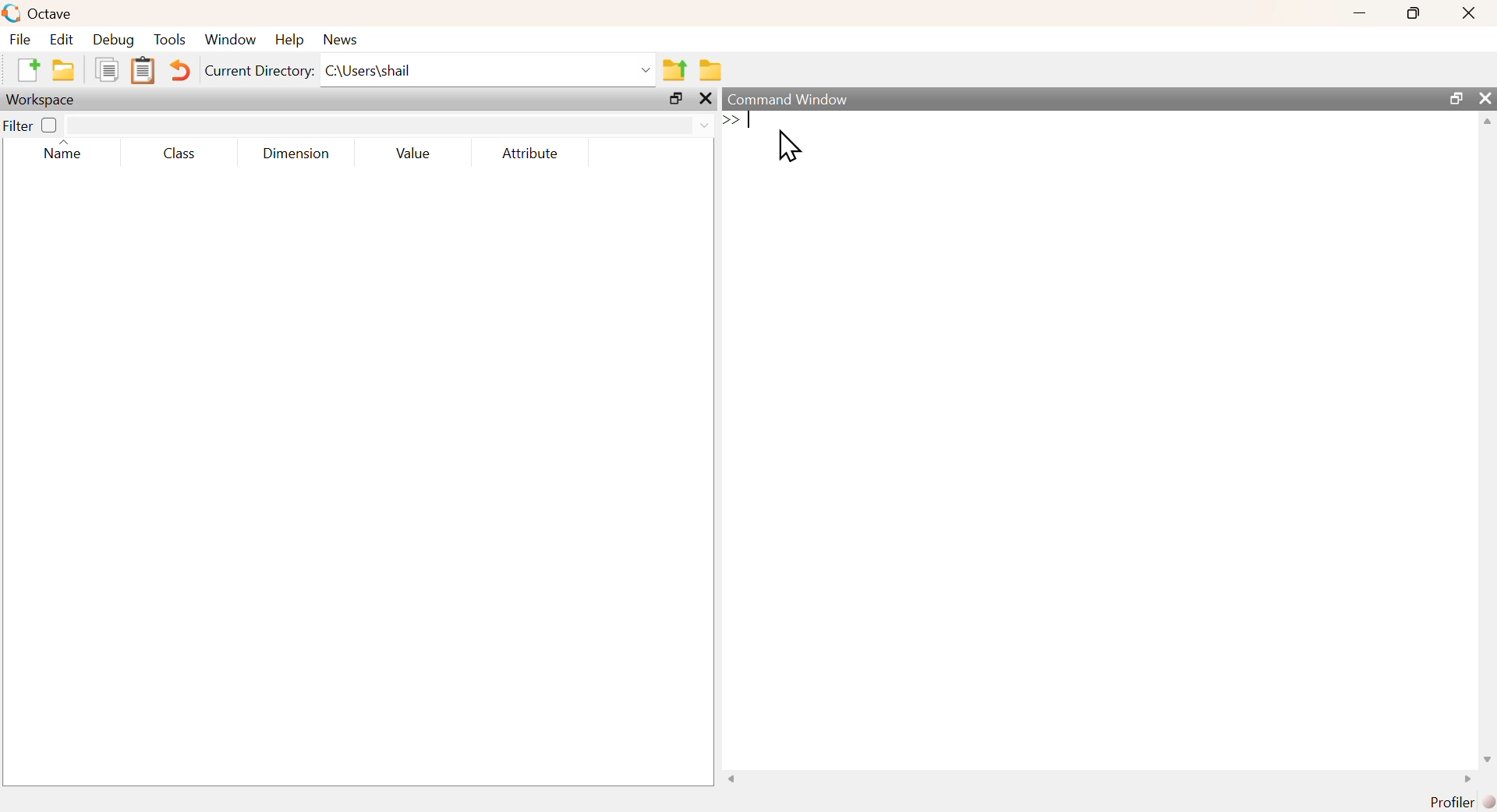 The height and width of the screenshot is (812, 1497). Describe the element at coordinates (675, 66) in the screenshot. I see `One directory up` at that location.